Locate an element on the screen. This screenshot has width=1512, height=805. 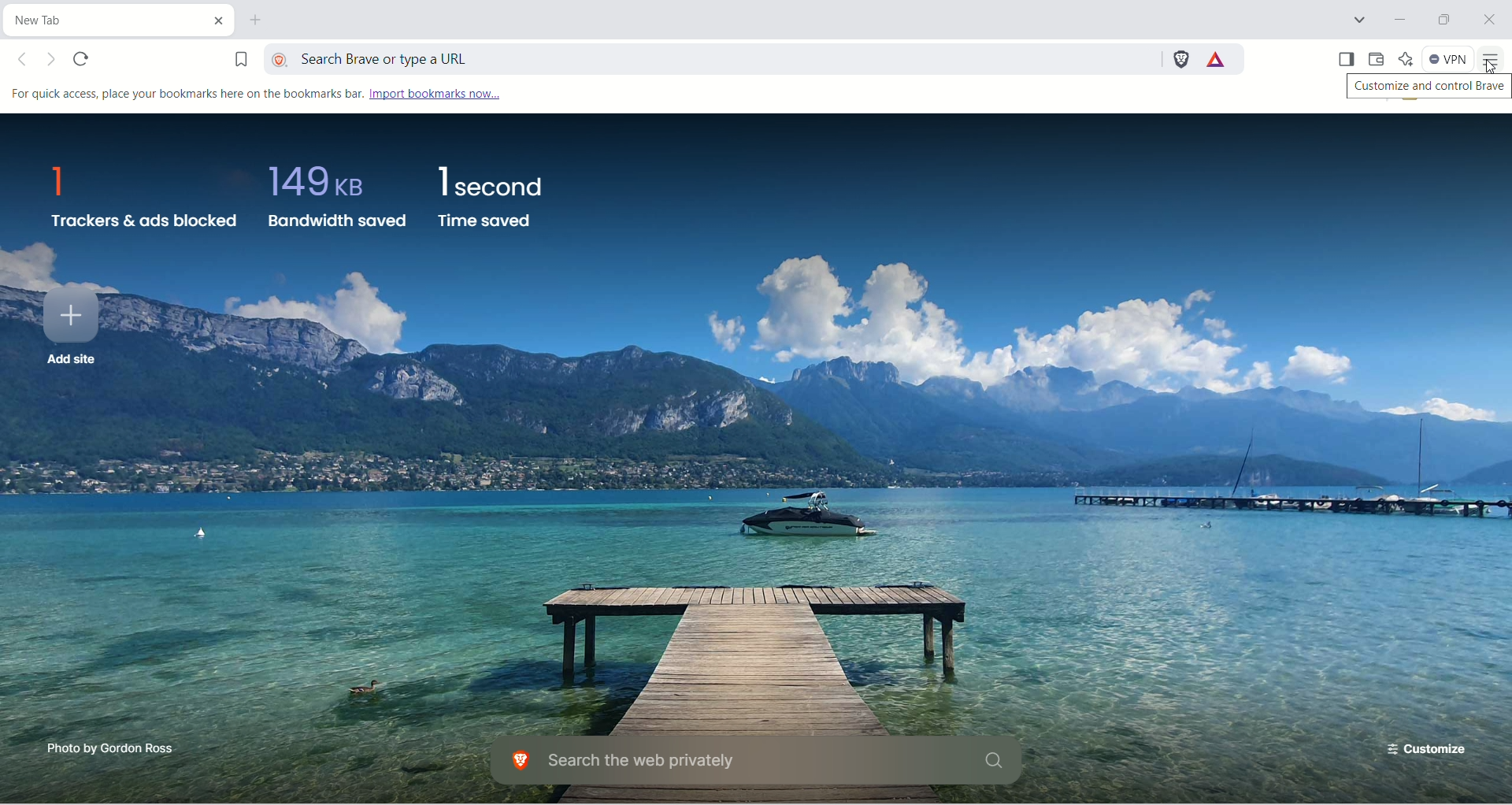
new tab is located at coordinates (261, 22).